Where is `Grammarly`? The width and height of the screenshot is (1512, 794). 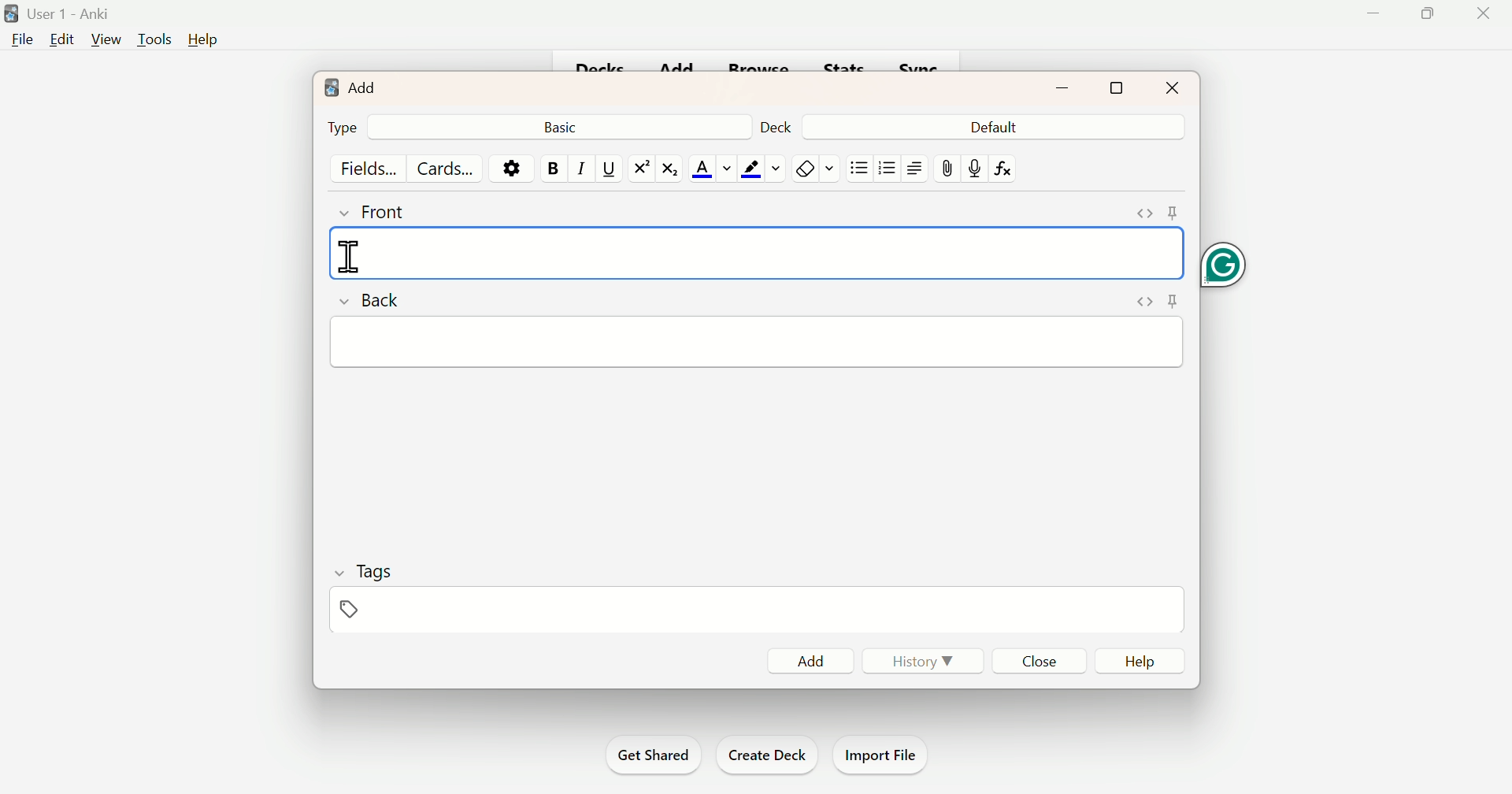 Grammarly is located at coordinates (1223, 273).